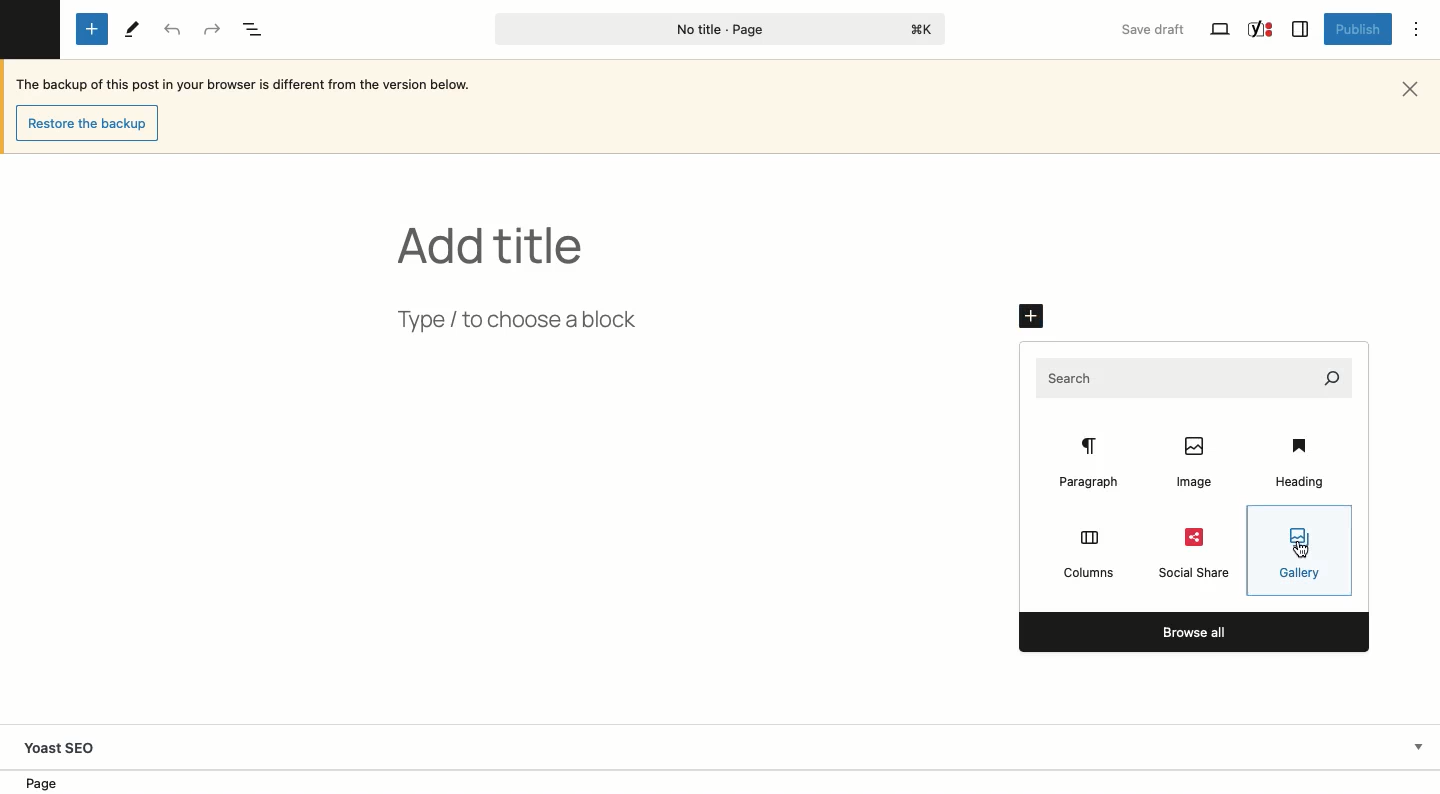 The width and height of the screenshot is (1440, 794). I want to click on Paragraph, so click(1086, 463).